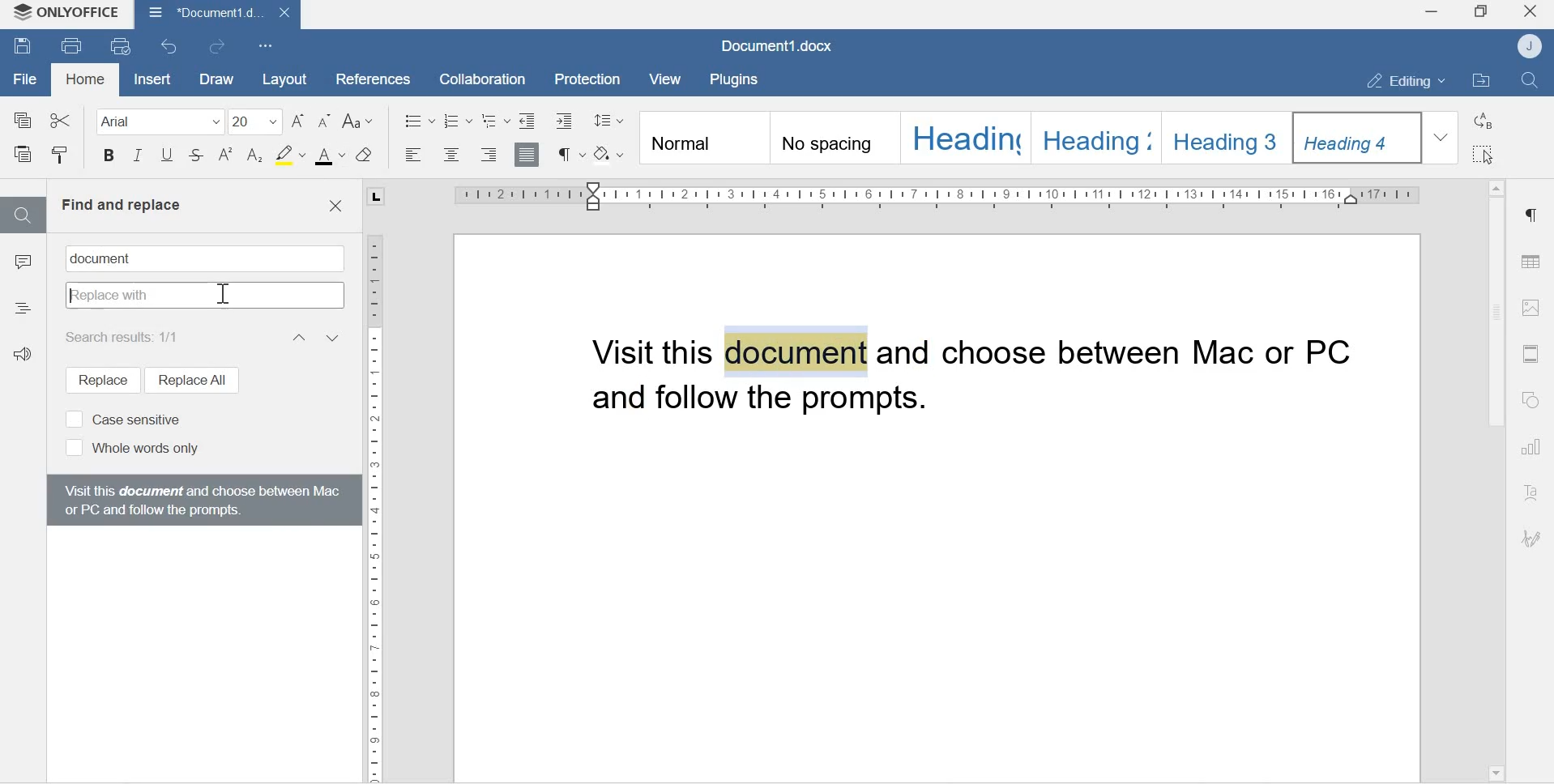 The height and width of the screenshot is (784, 1554). What do you see at coordinates (1495, 771) in the screenshot?
I see `Scroll down` at bounding box center [1495, 771].